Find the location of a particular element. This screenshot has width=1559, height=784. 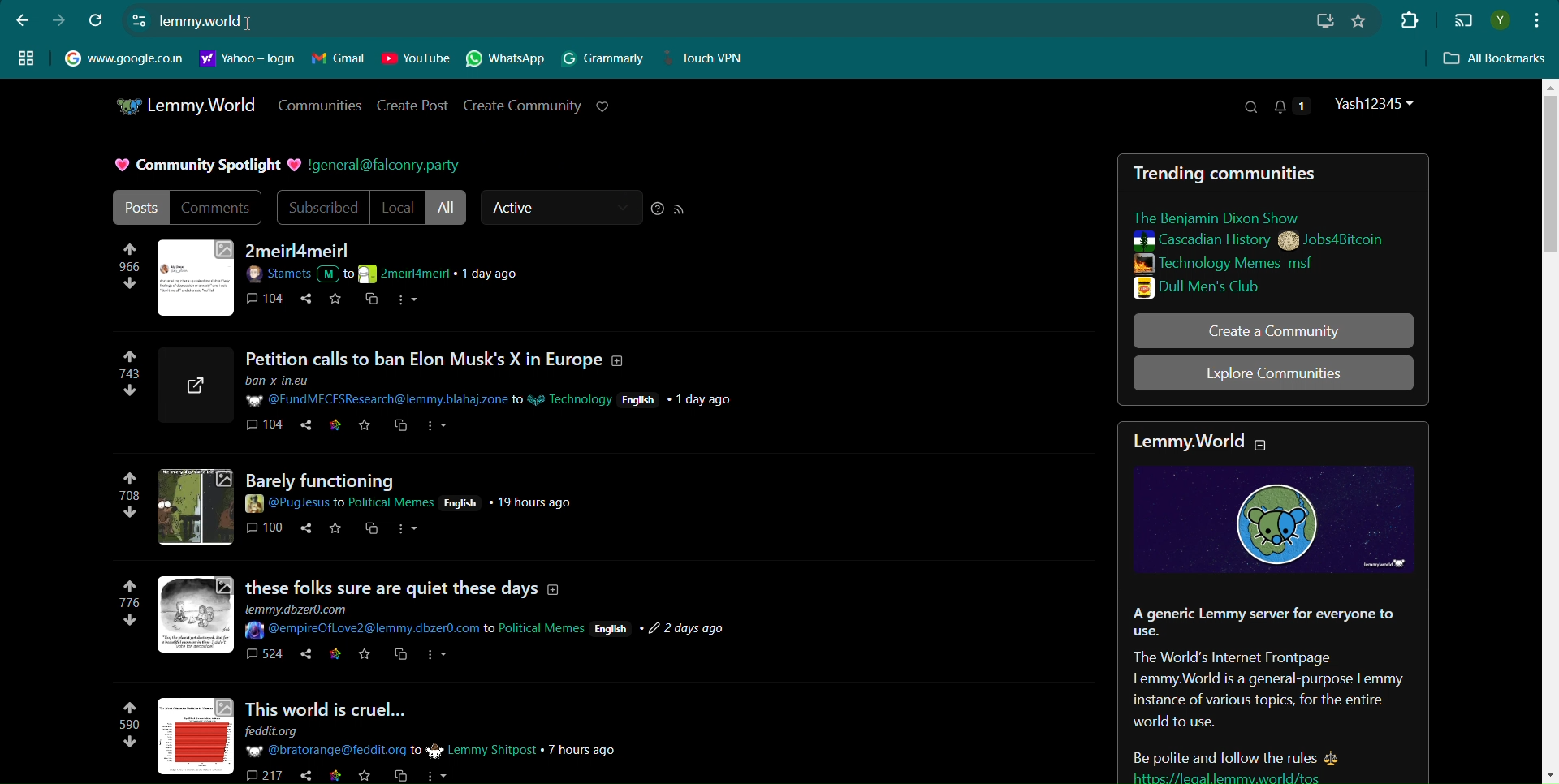

Create a Community is located at coordinates (1273, 330).